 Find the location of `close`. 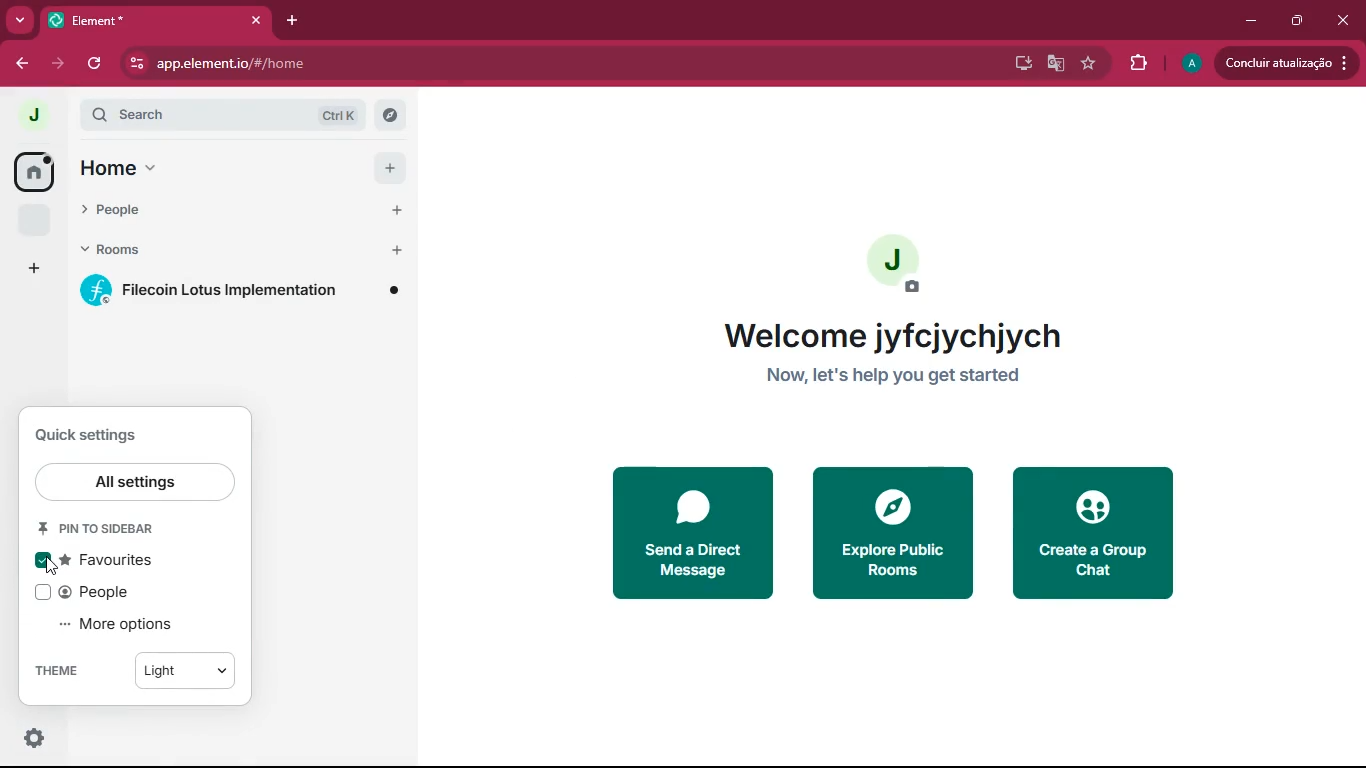

close is located at coordinates (1341, 21).